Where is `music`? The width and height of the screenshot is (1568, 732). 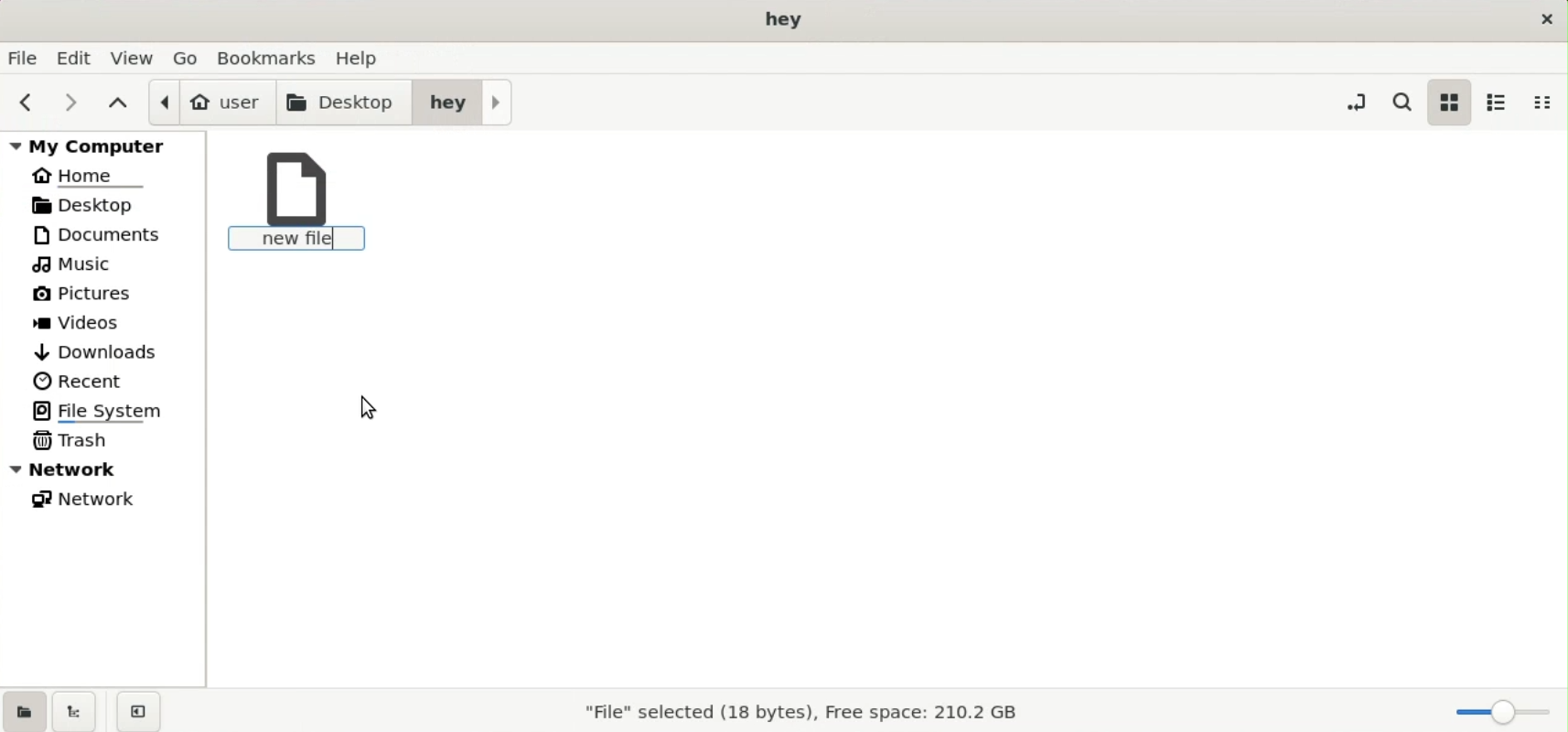
music is located at coordinates (78, 265).